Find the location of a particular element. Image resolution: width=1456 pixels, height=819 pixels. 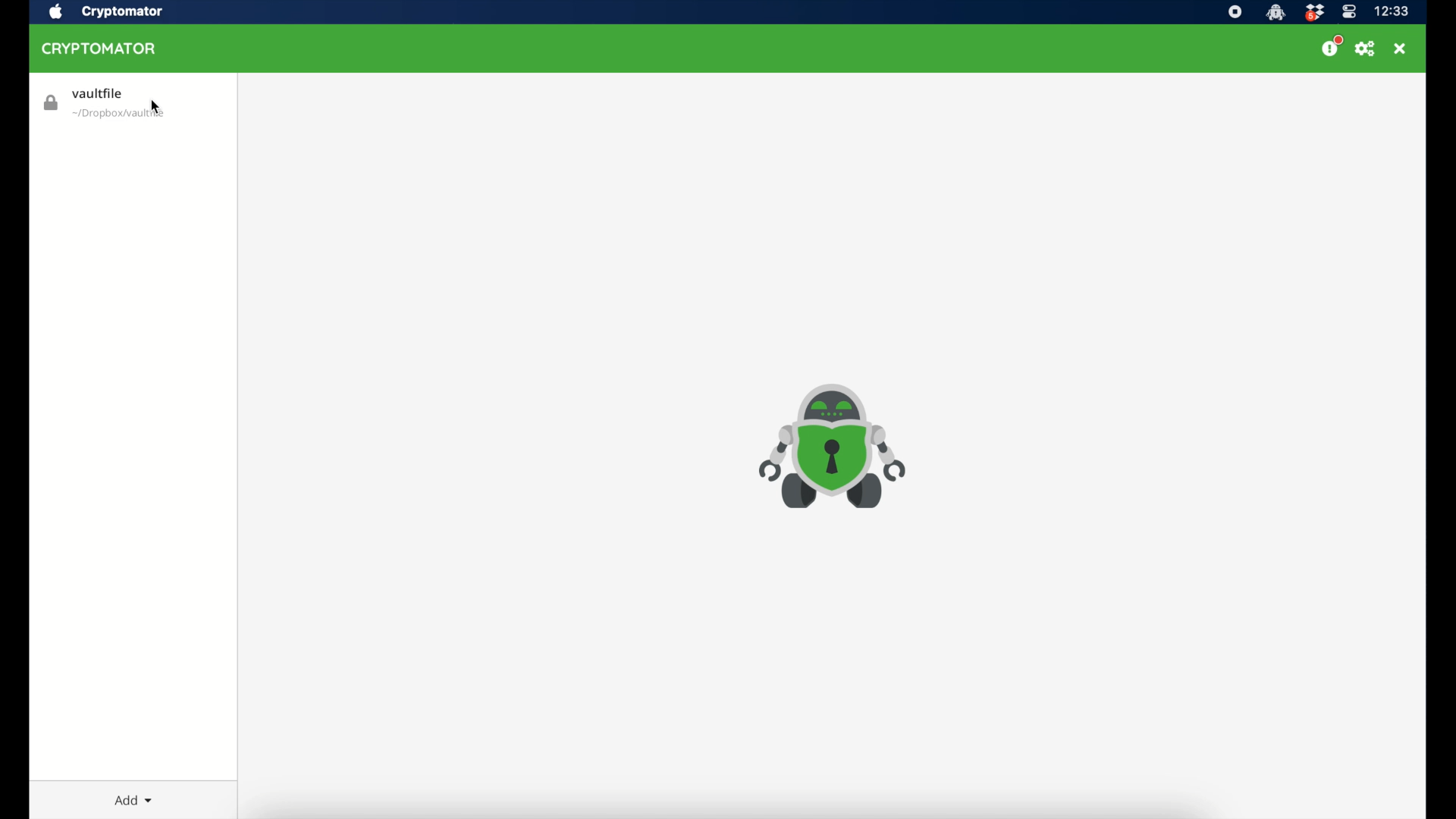

cryptomator is located at coordinates (99, 48).